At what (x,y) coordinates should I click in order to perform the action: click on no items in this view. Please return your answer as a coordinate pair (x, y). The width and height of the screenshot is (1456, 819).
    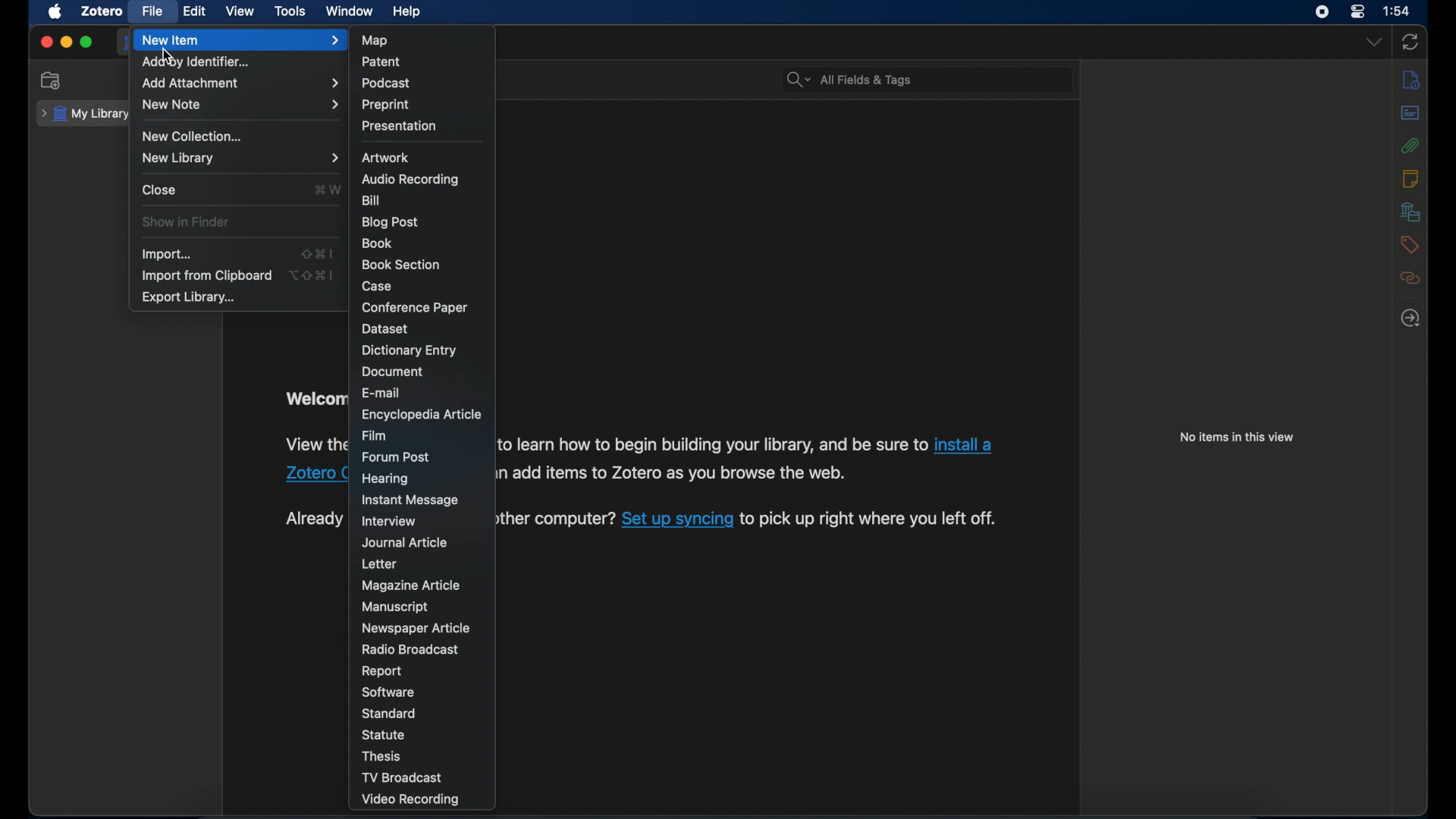
    Looking at the image, I should click on (1238, 437).